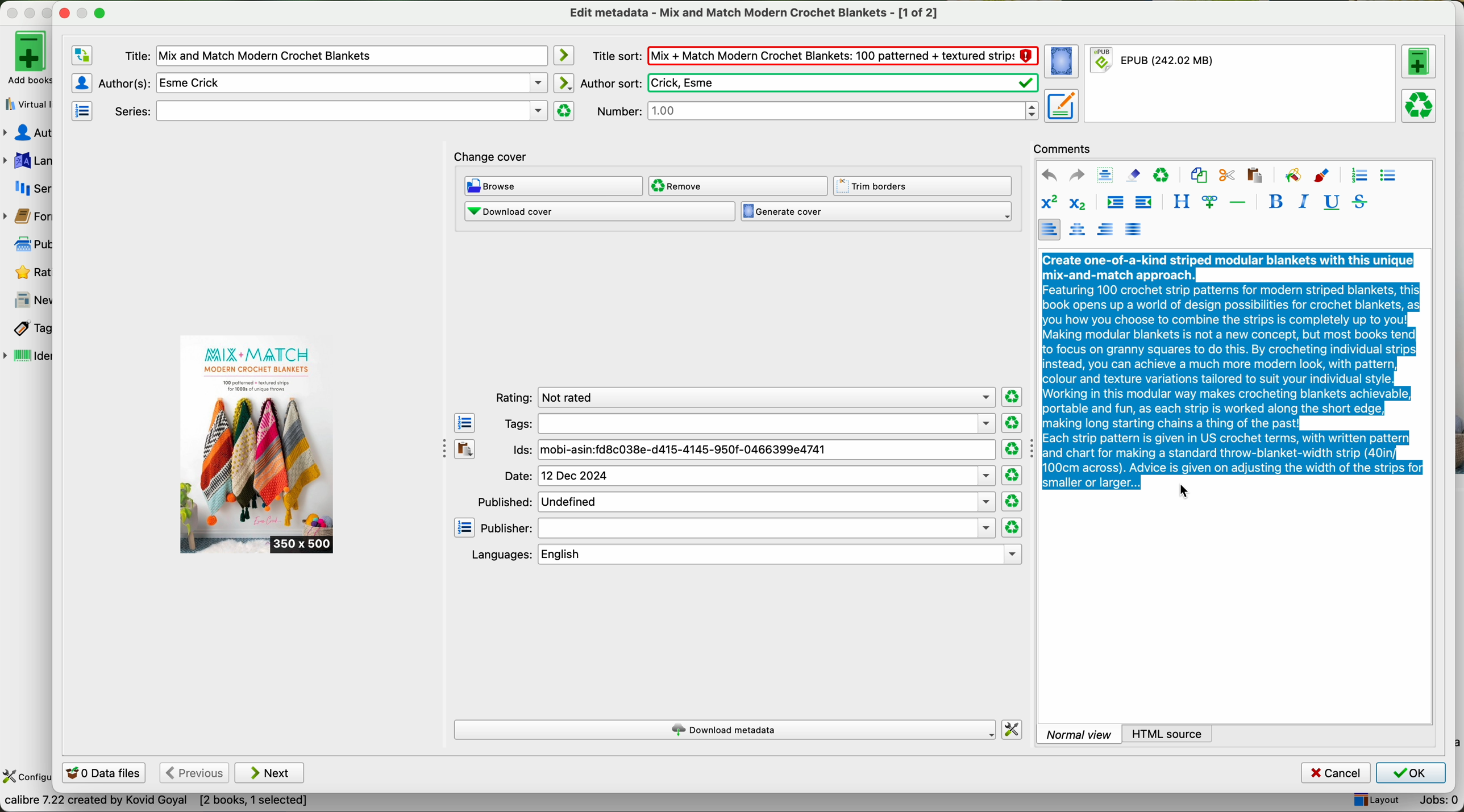  What do you see at coordinates (65, 11) in the screenshot?
I see `close window` at bounding box center [65, 11].